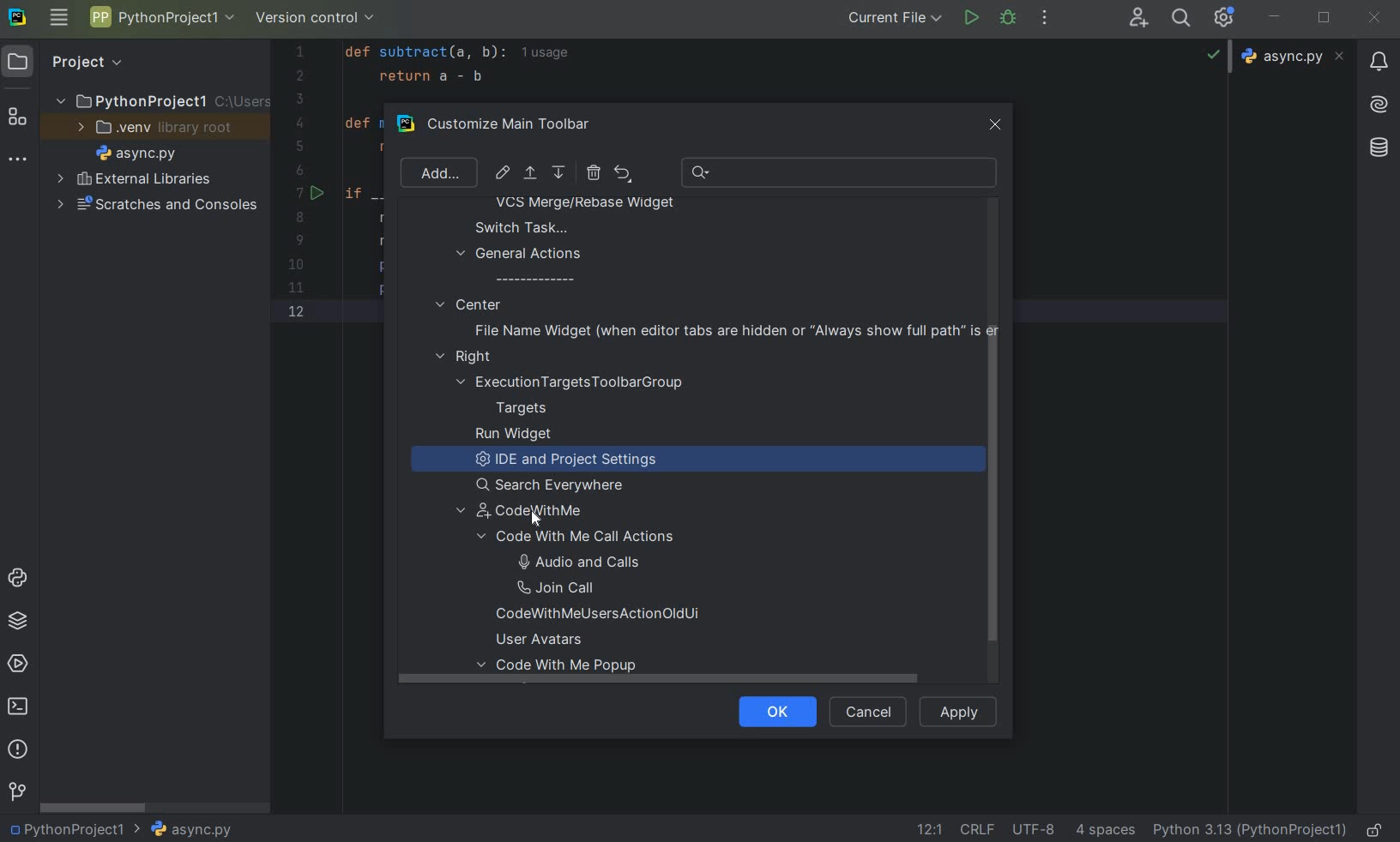  Describe the element at coordinates (537, 520) in the screenshot. I see `Cursor` at that location.